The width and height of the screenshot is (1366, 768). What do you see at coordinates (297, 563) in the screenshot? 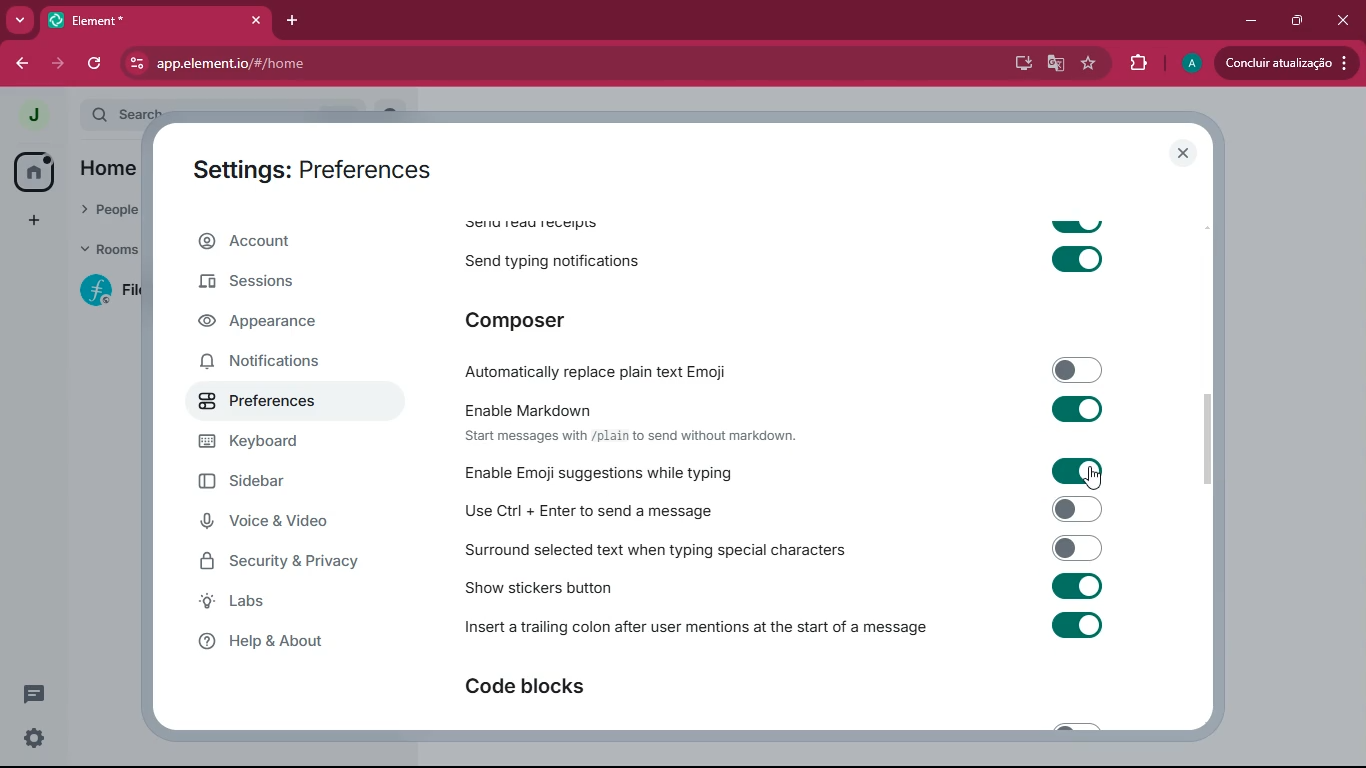
I see `security` at bounding box center [297, 563].